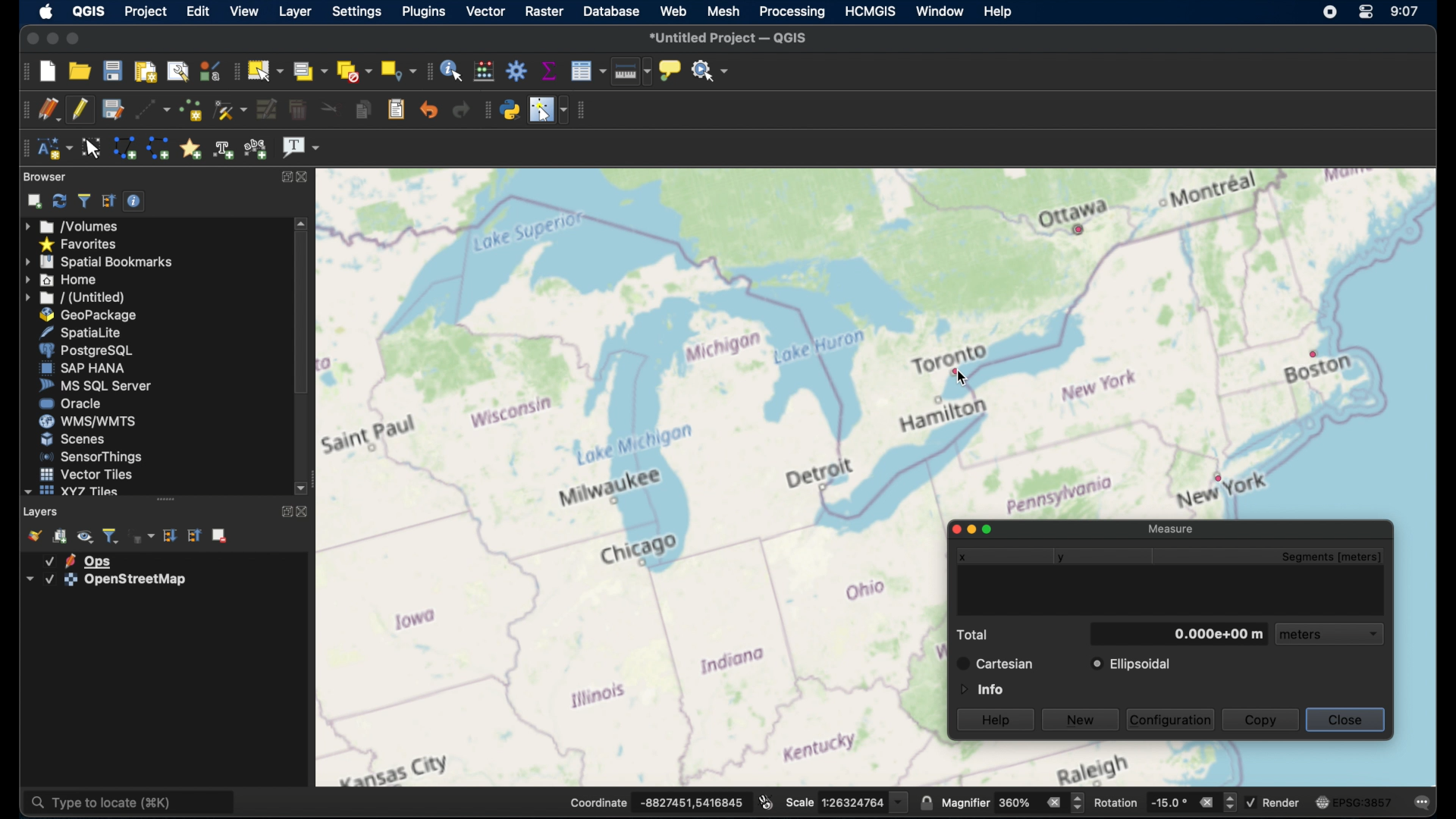 The image size is (1456, 819). Describe the element at coordinates (632, 74) in the screenshot. I see `measure line` at that location.